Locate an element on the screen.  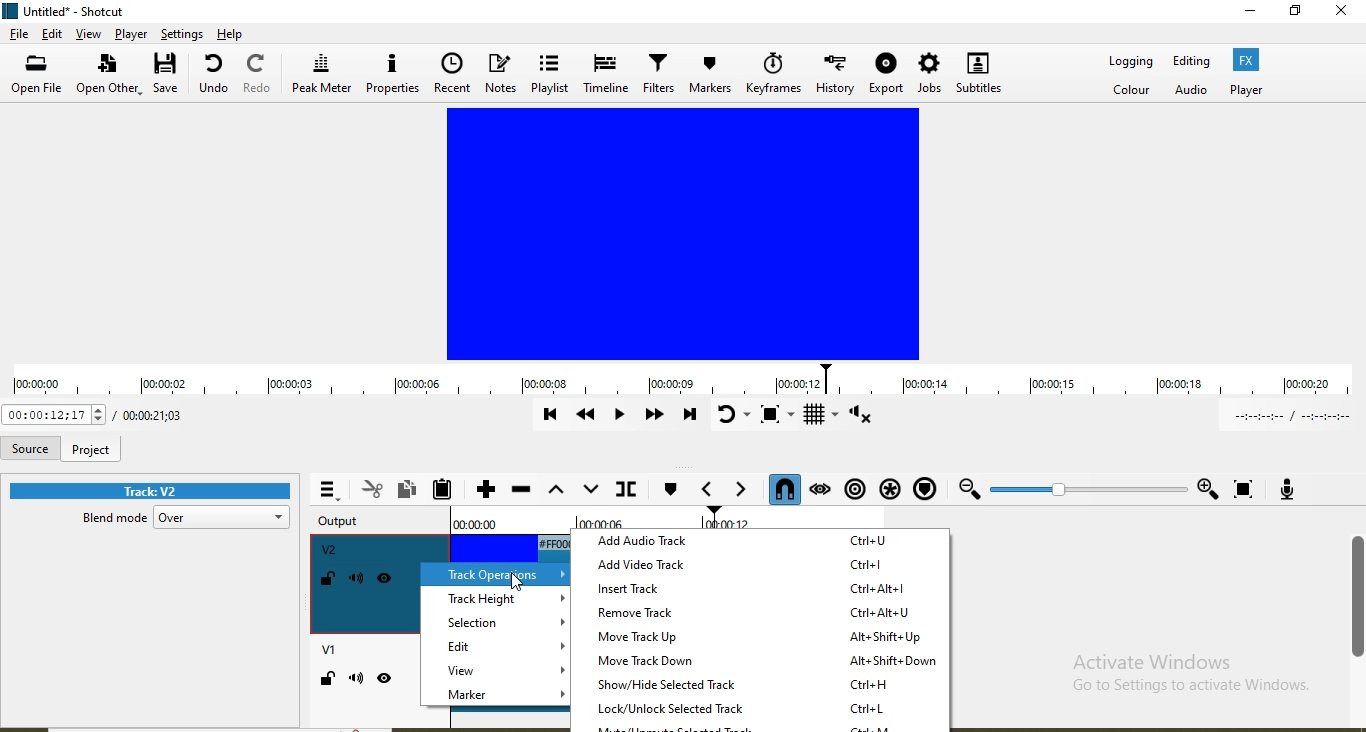
Snap is located at coordinates (784, 490).